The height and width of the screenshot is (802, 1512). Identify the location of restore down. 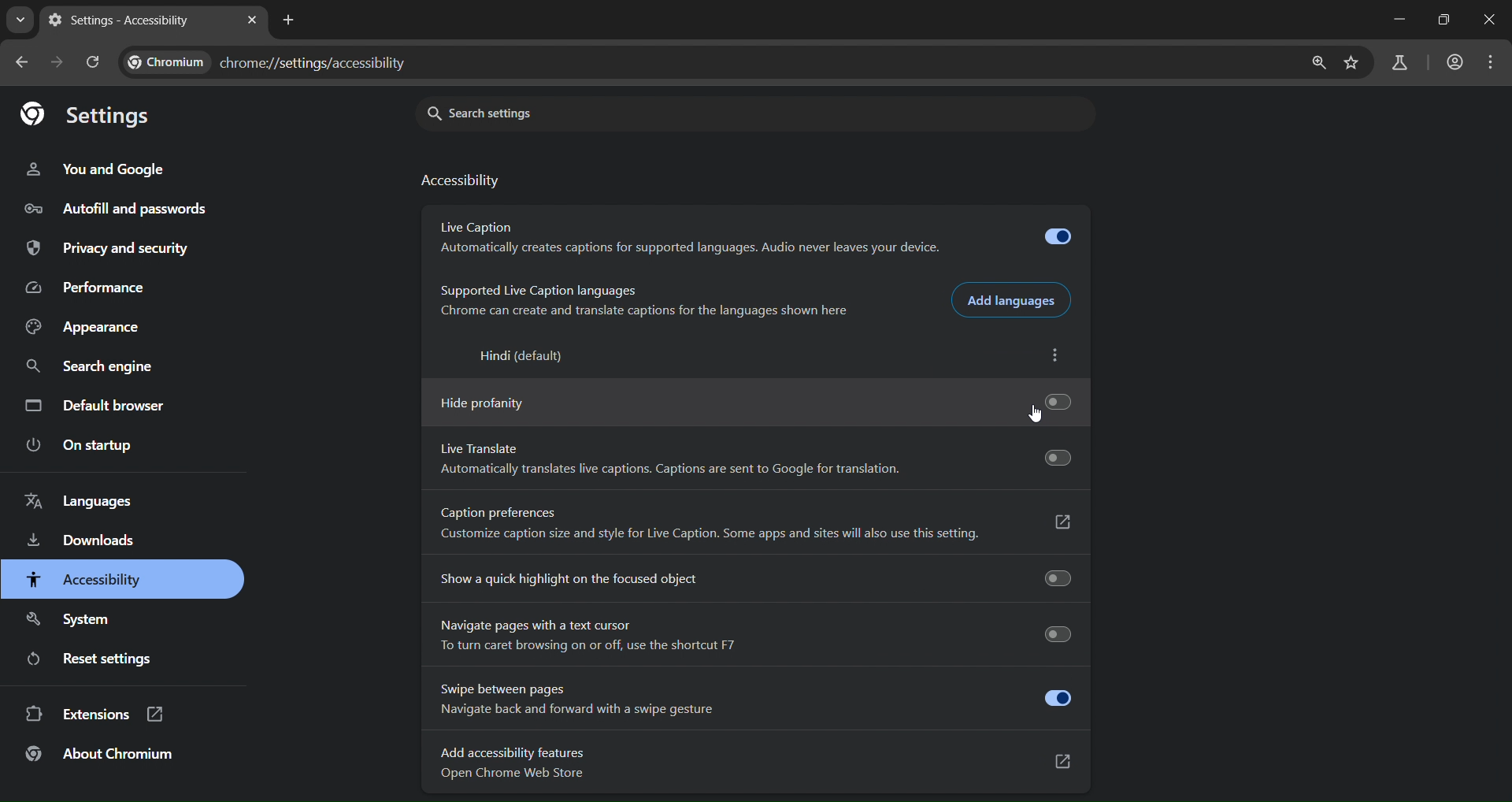
(1449, 18).